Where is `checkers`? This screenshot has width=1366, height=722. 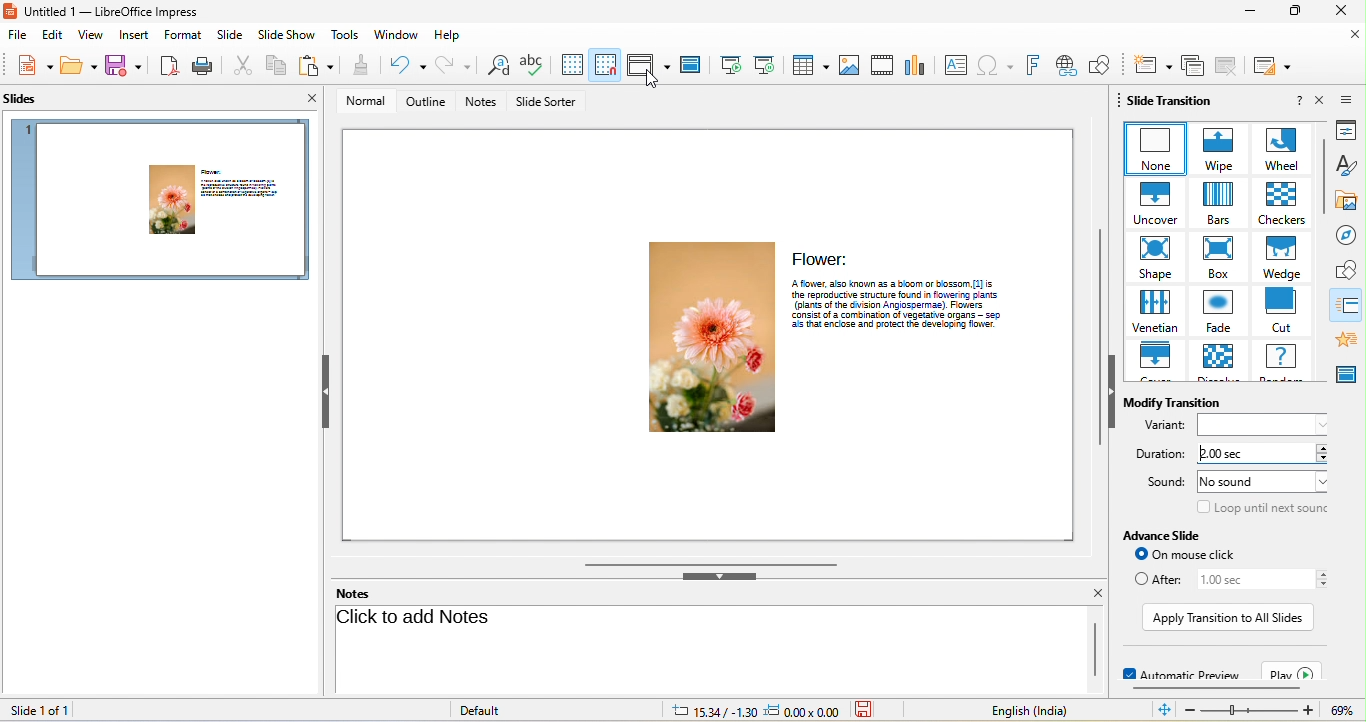 checkers is located at coordinates (1278, 203).